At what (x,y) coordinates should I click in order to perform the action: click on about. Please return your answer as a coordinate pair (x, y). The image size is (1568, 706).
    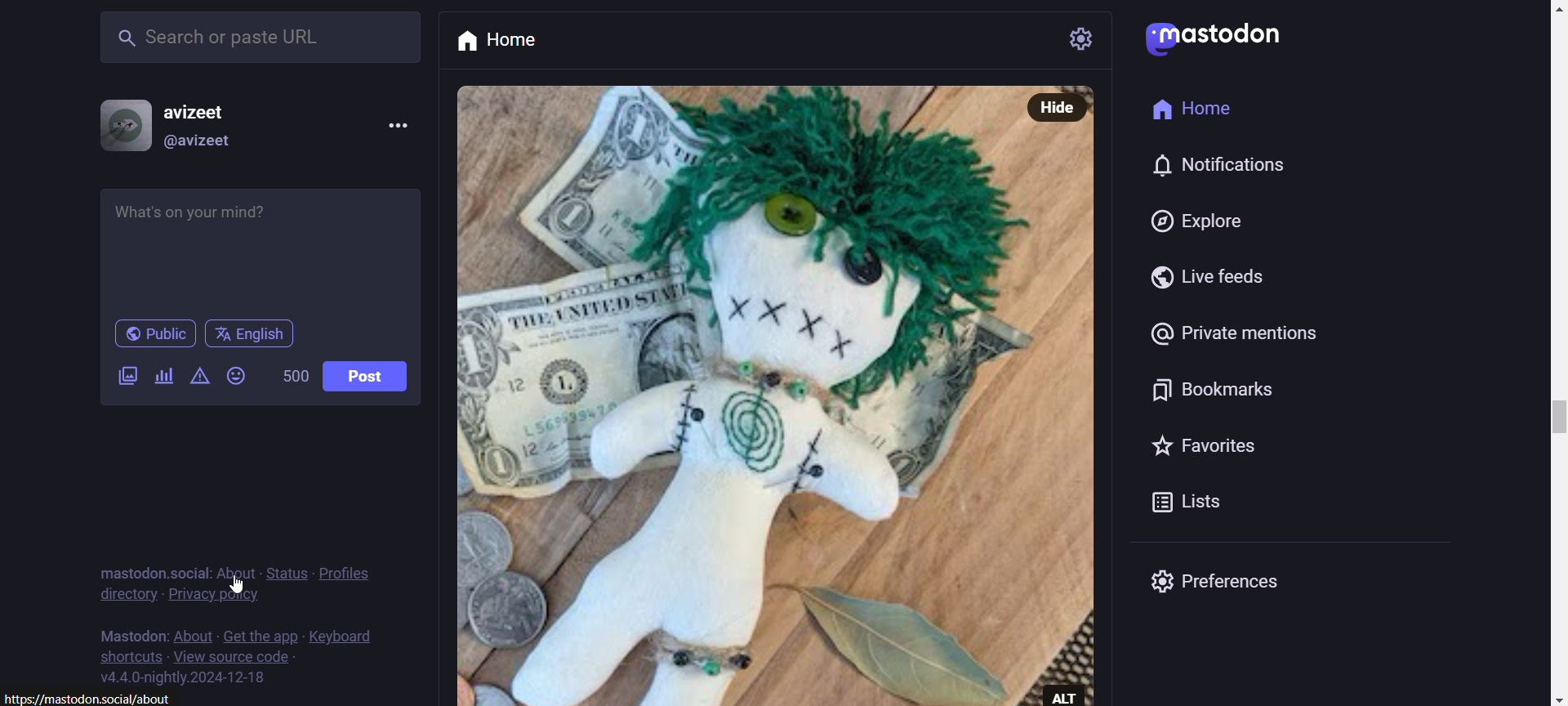
    Looking at the image, I should click on (234, 569).